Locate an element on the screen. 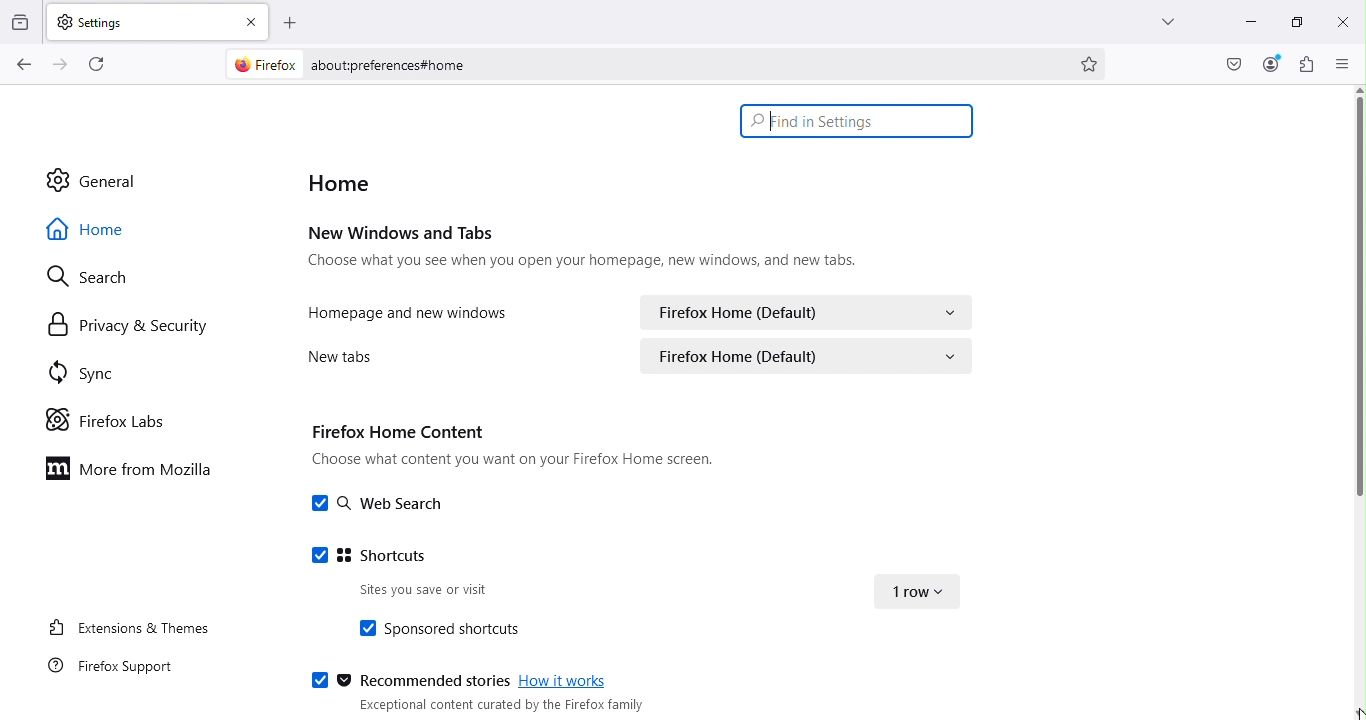 The height and width of the screenshot is (720, 1366). Account is located at coordinates (1231, 65).